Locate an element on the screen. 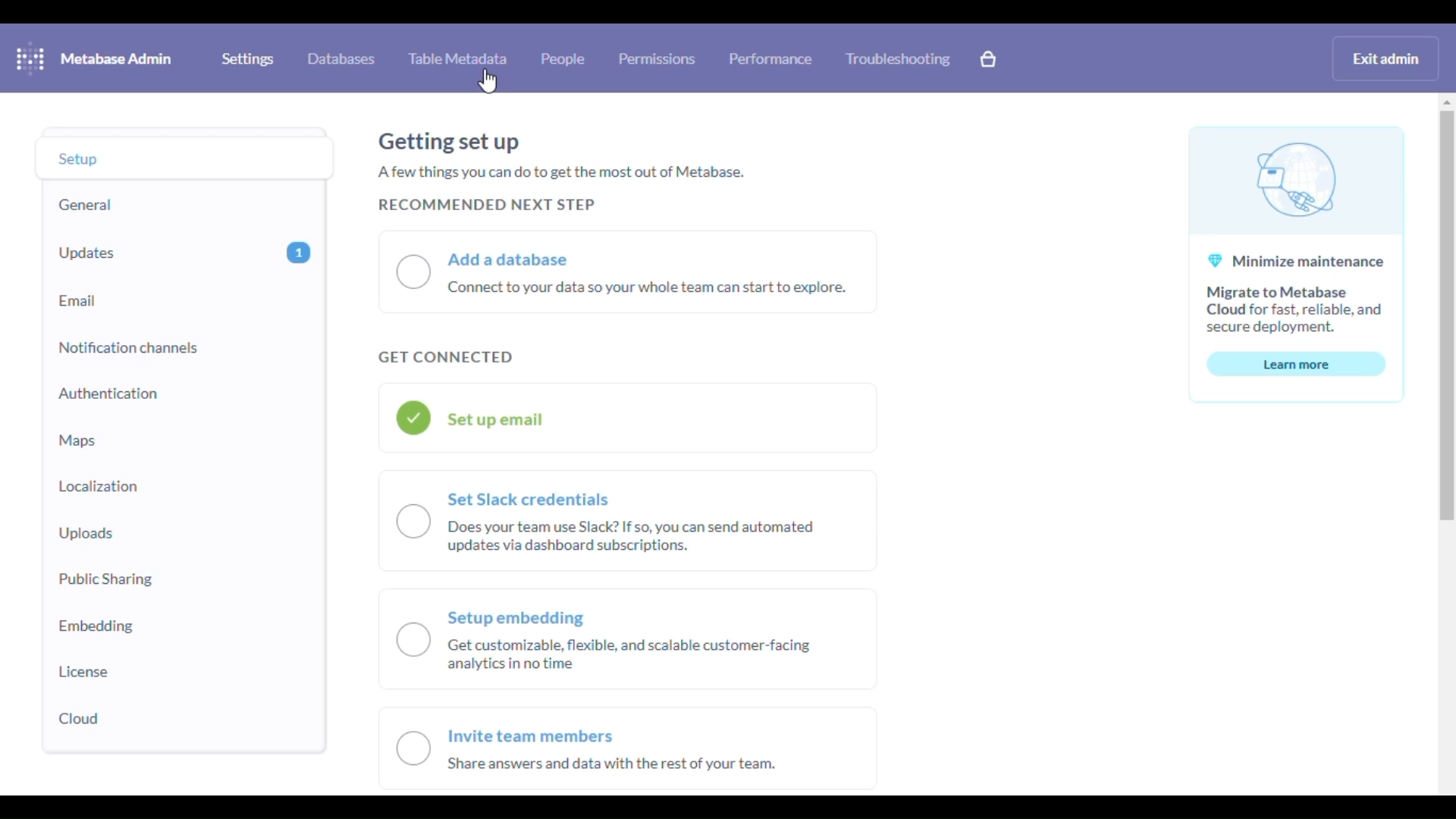  cursor is located at coordinates (488, 81).